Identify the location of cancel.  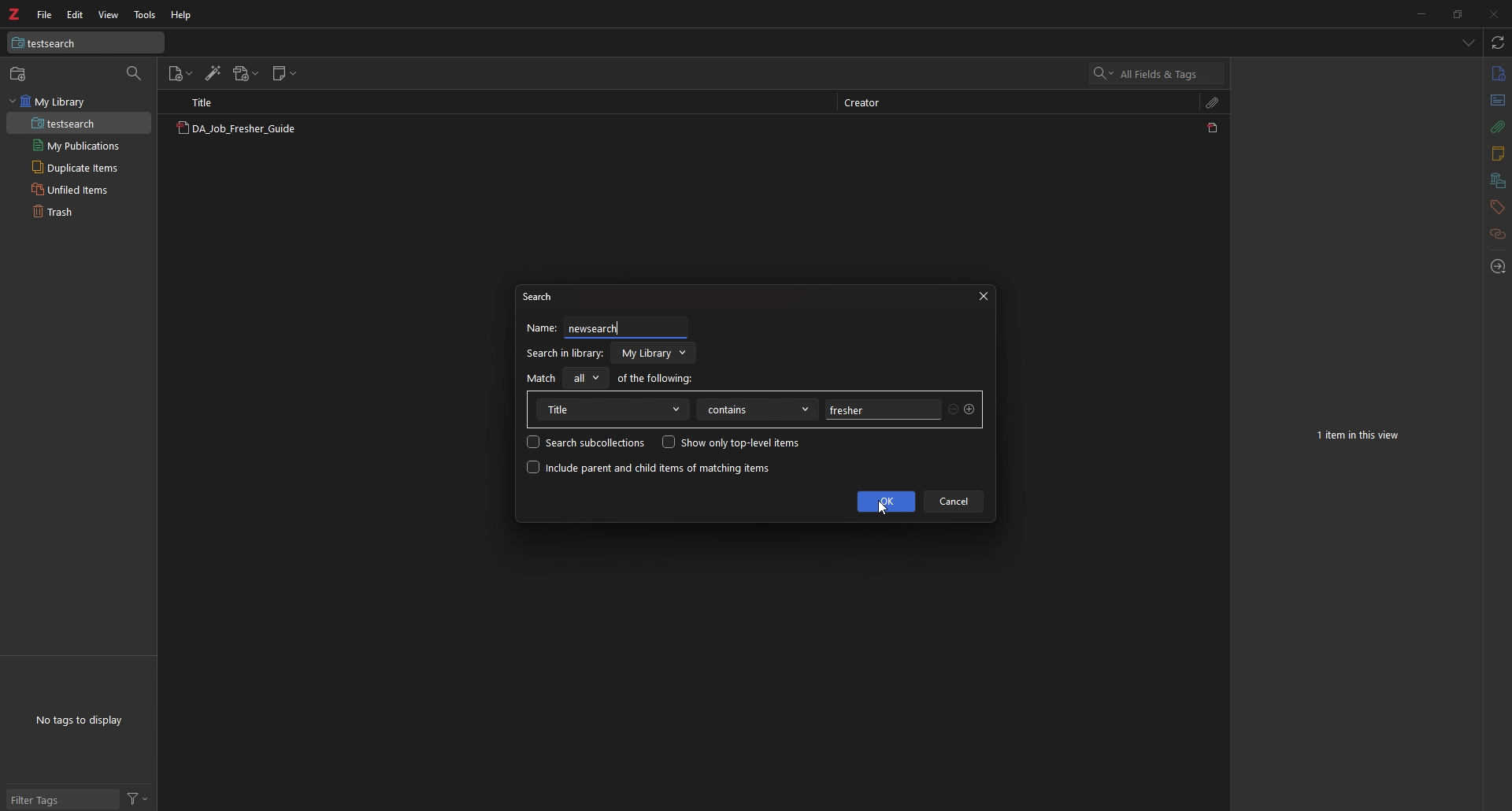
(954, 502).